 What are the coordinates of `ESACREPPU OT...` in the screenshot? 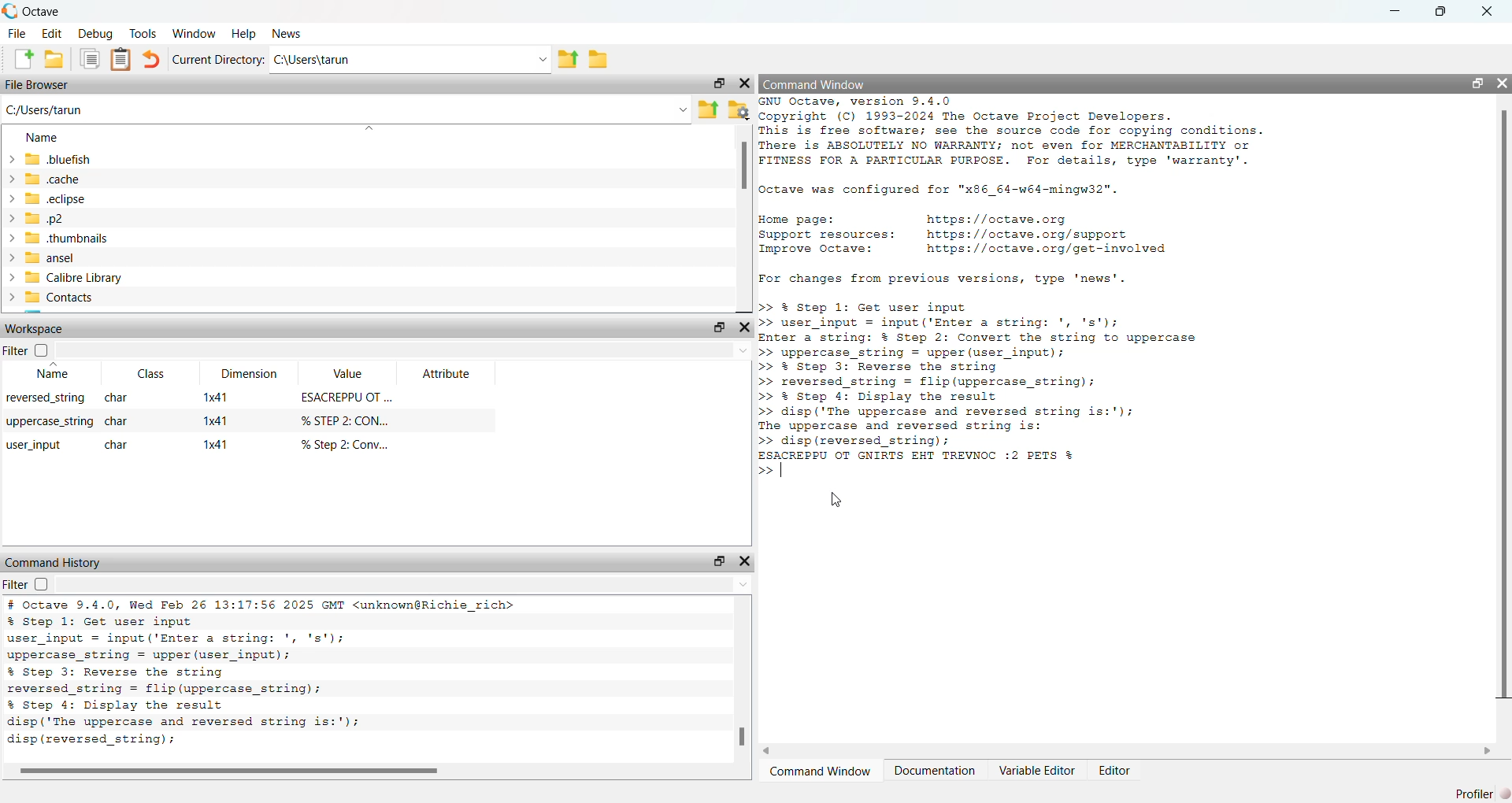 It's located at (346, 400).